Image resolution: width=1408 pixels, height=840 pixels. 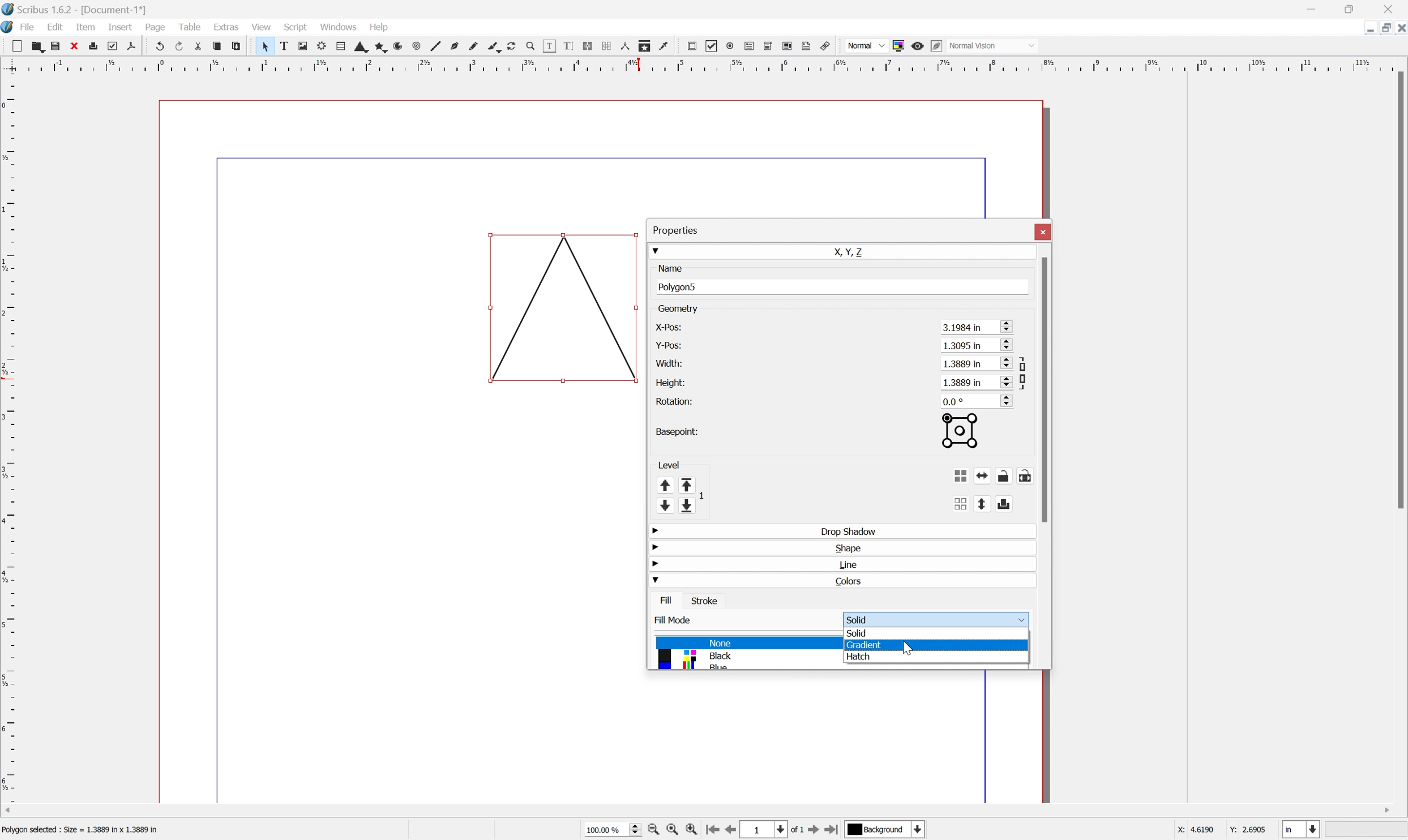 What do you see at coordinates (1043, 231) in the screenshot?
I see `Close` at bounding box center [1043, 231].